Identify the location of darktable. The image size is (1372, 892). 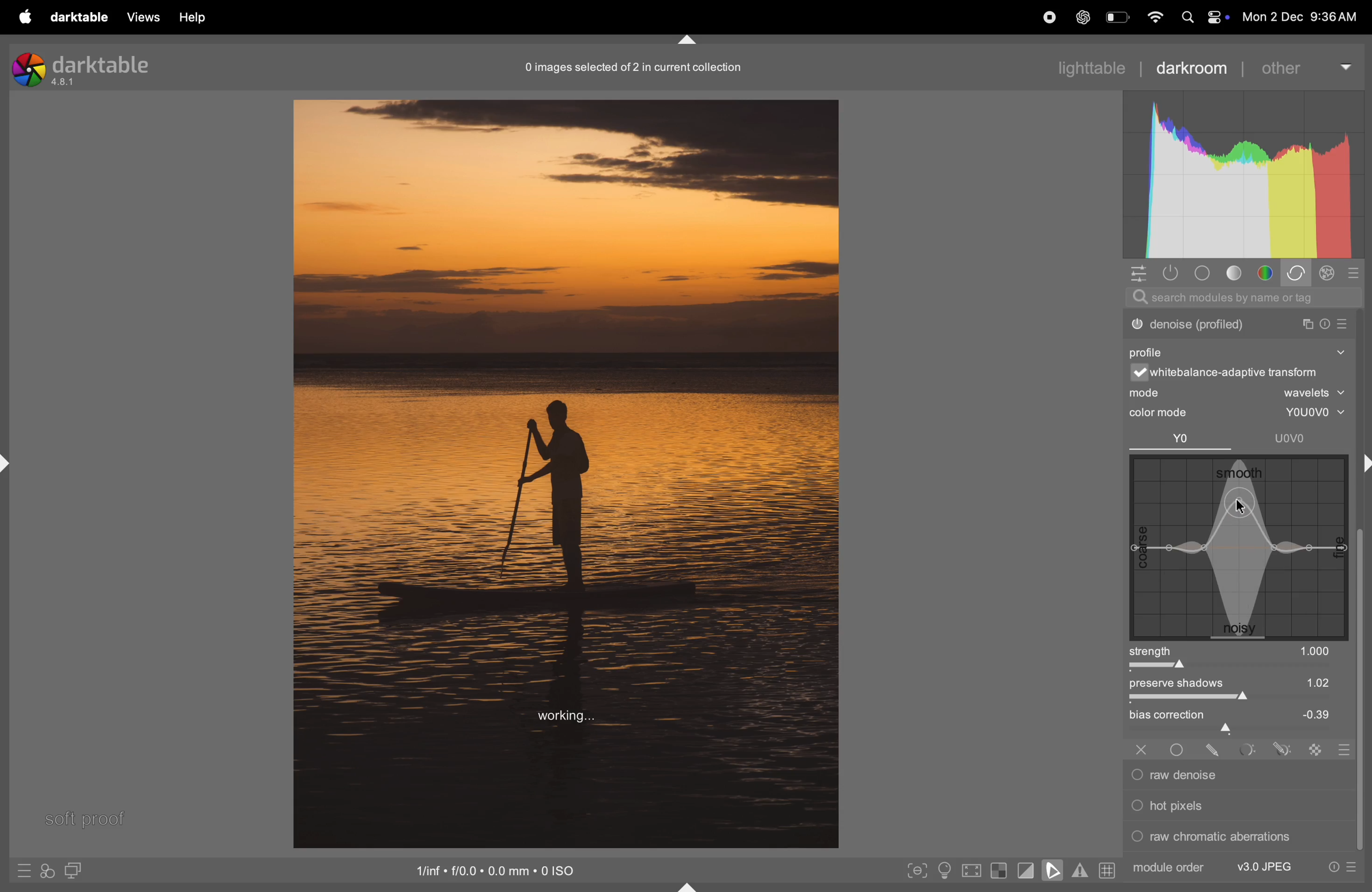
(77, 17).